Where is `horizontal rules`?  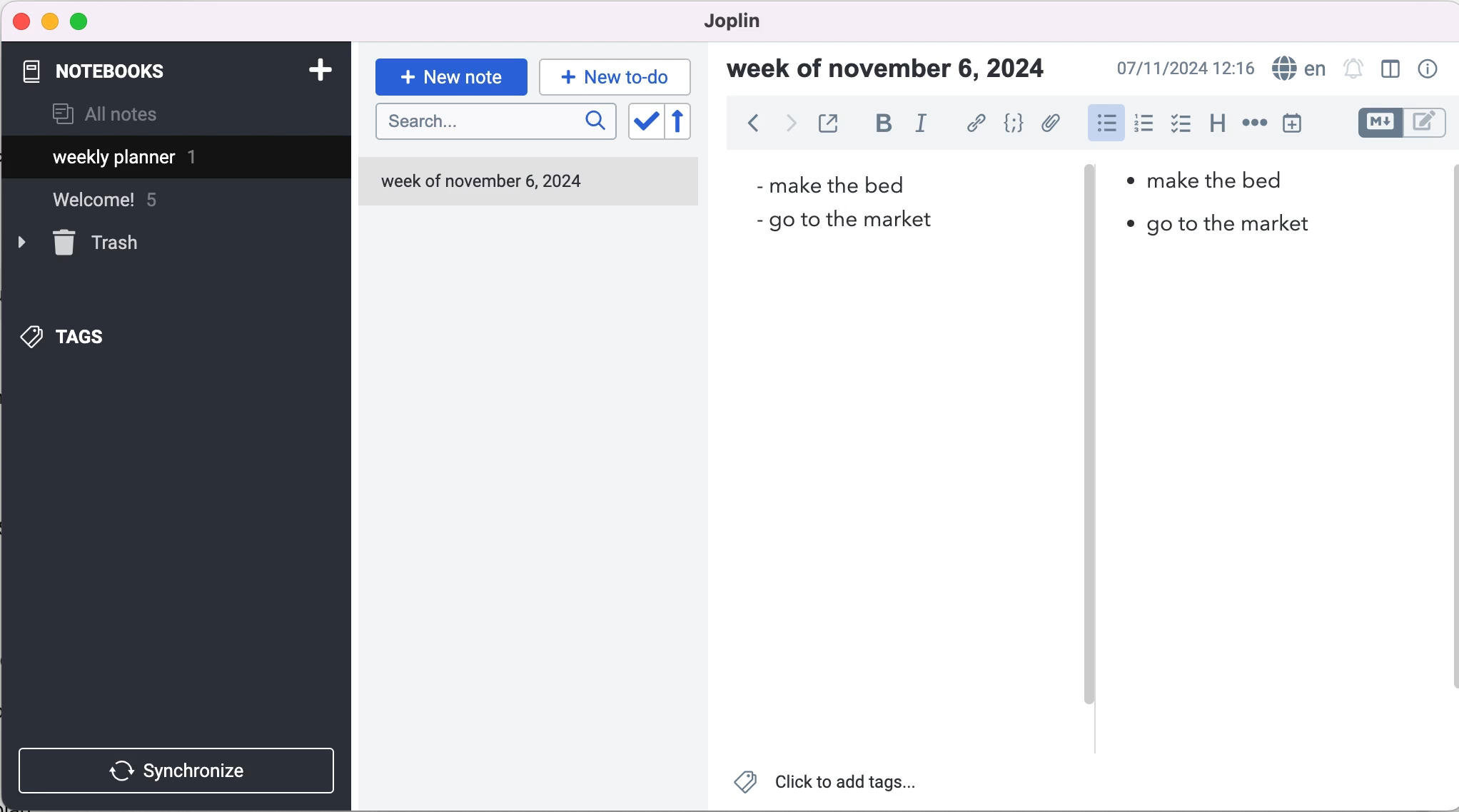 horizontal rules is located at coordinates (1252, 124).